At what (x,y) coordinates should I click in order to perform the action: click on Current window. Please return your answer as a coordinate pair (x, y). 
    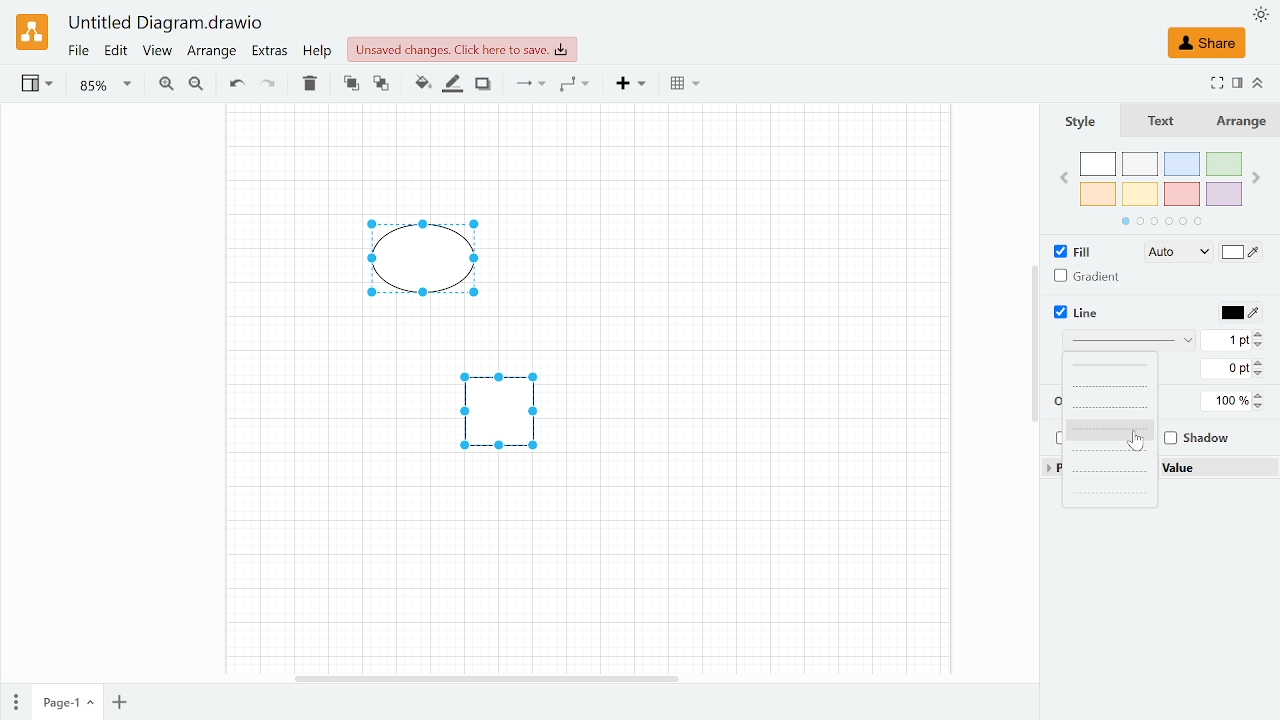
    Looking at the image, I should click on (167, 24).